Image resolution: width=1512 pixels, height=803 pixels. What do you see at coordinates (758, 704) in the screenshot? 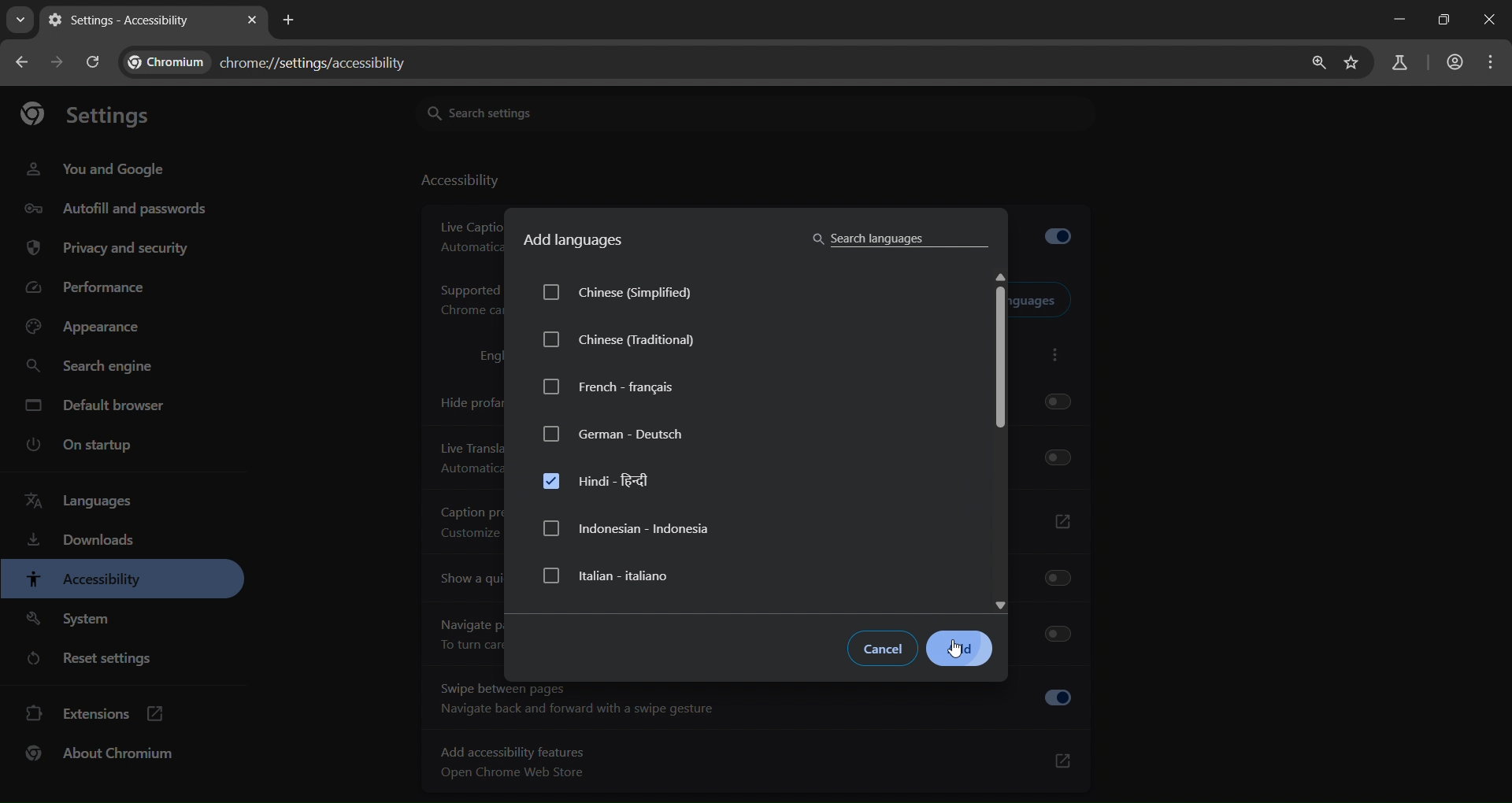
I see `navigate pages with a text cursor` at bounding box center [758, 704].